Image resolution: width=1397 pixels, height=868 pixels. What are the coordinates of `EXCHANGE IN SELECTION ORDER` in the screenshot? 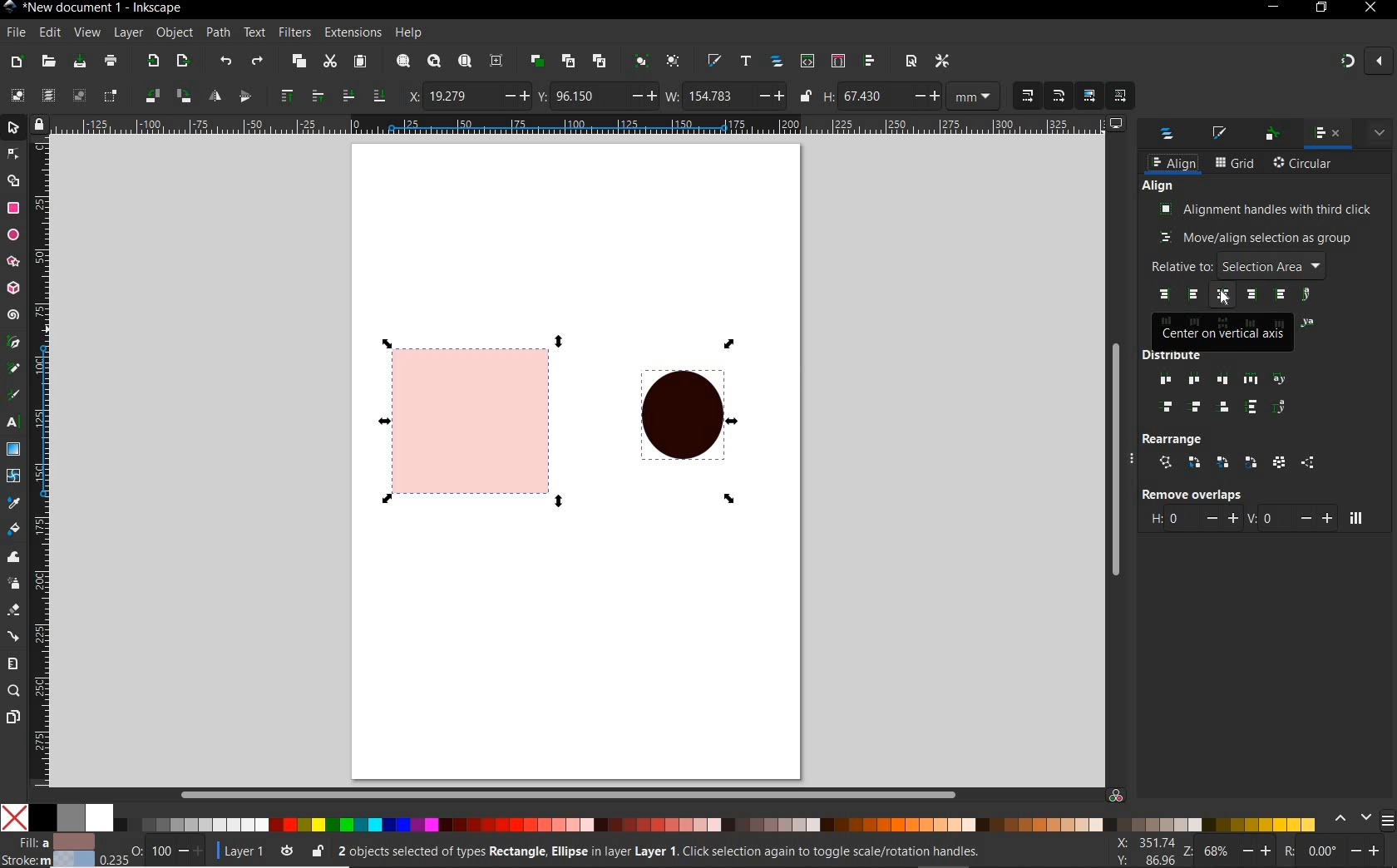 It's located at (1195, 463).